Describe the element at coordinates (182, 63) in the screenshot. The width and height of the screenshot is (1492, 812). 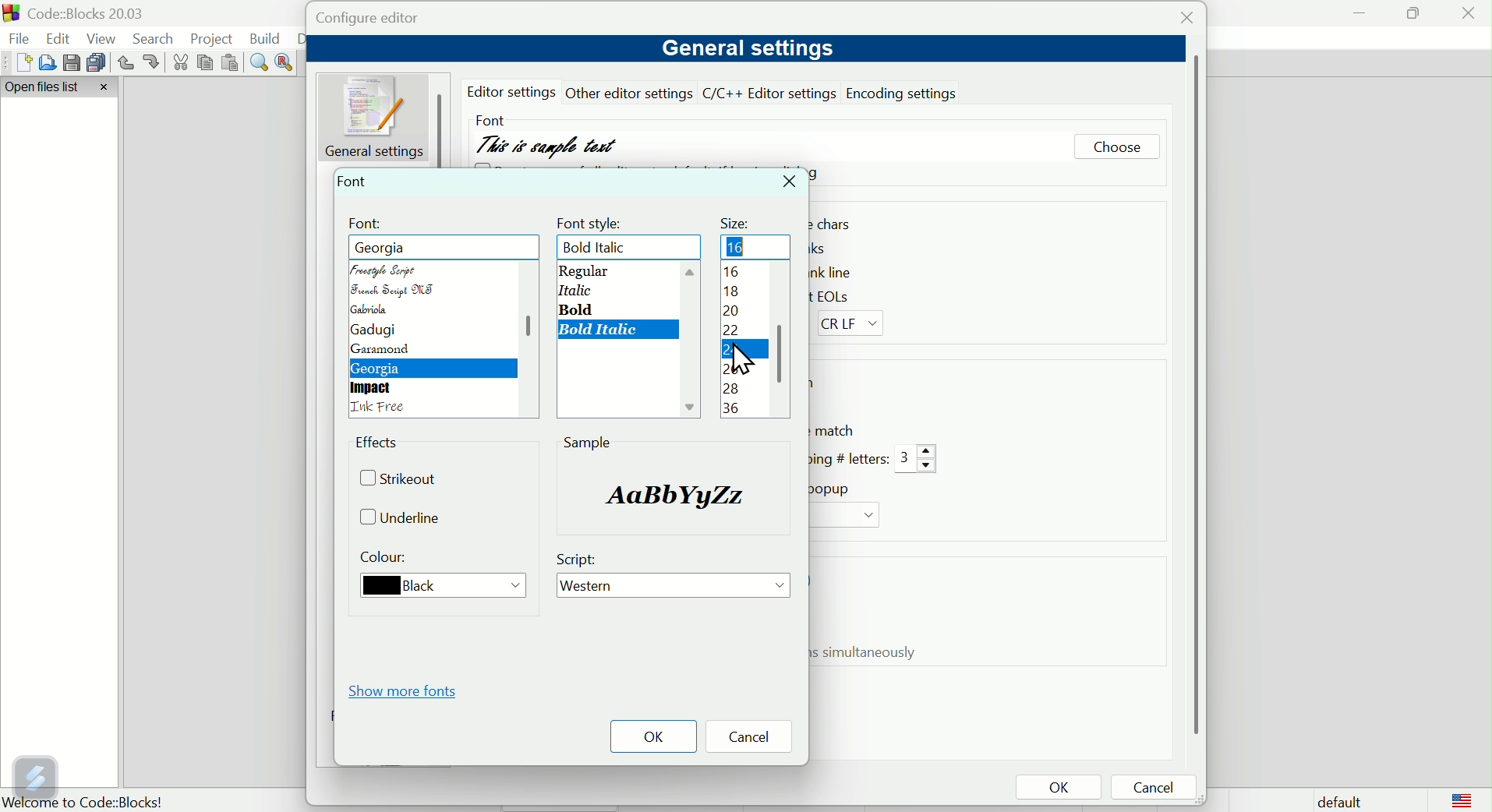
I see `cut` at that location.